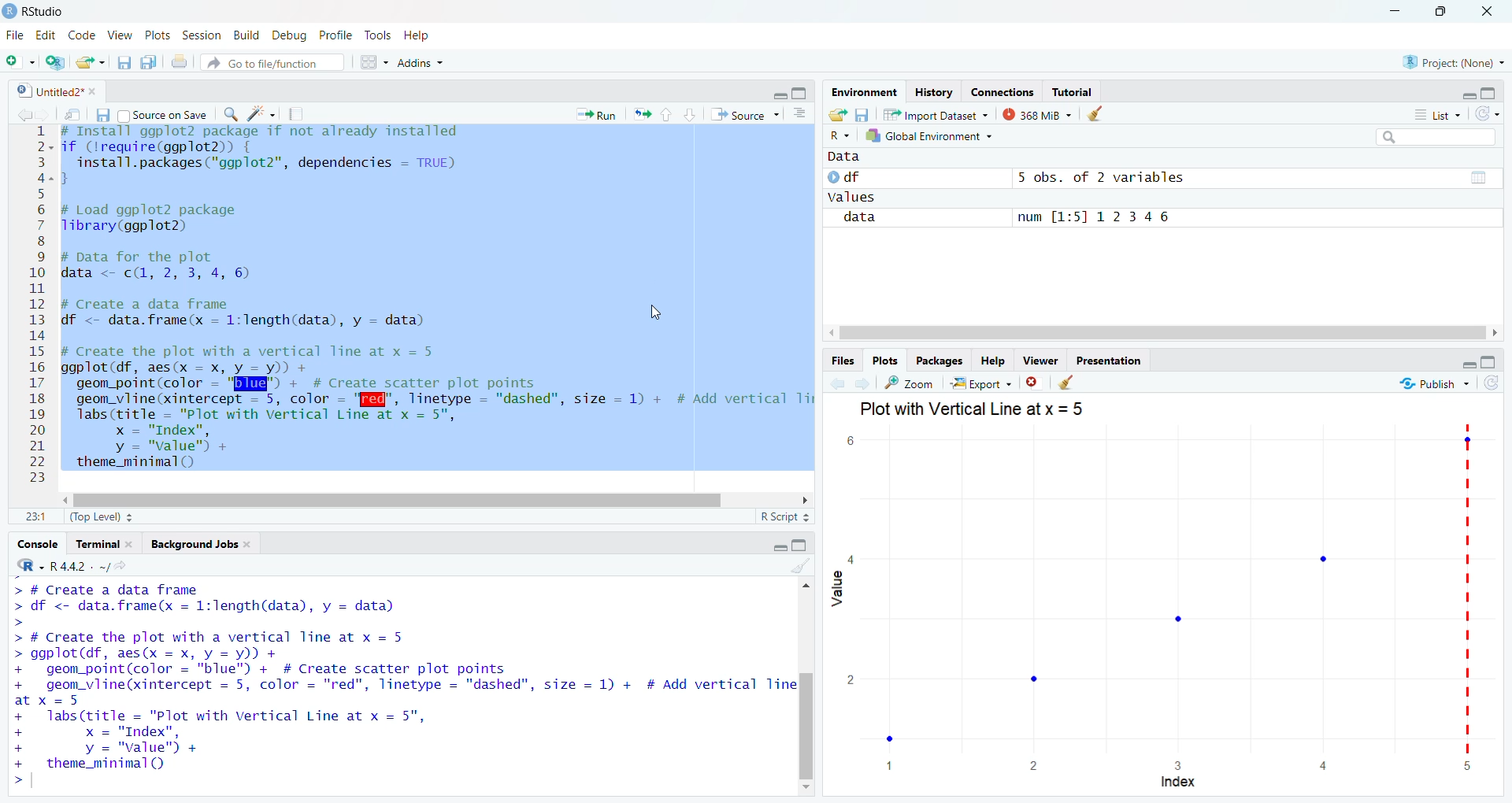 This screenshot has height=803, width=1512. I want to click on refresh, so click(1491, 117).